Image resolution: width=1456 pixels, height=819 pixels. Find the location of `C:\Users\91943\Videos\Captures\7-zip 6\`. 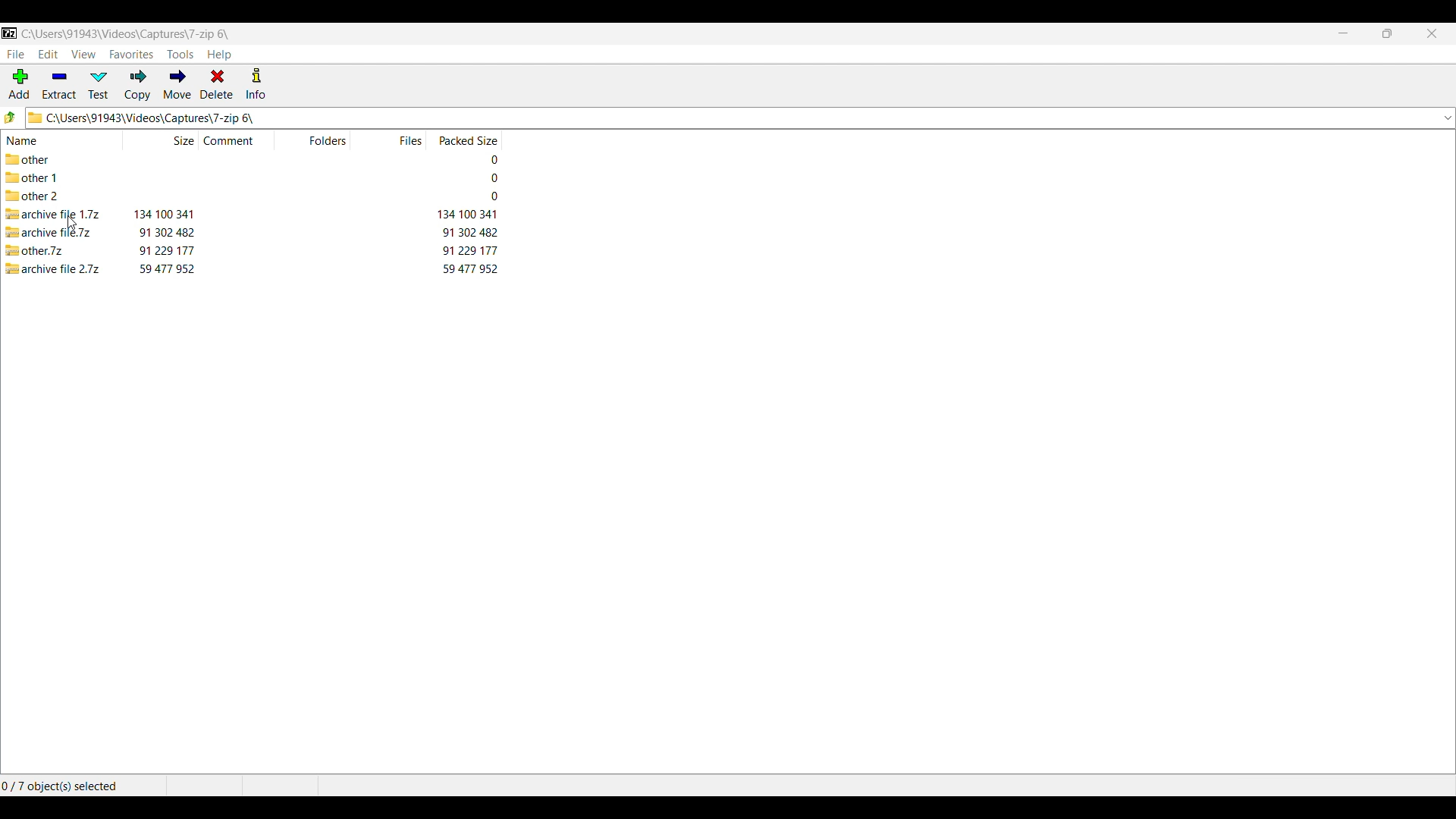

C:\Users\91943\Videos\Captures\7-zip 6\ is located at coordinates (118, 33).